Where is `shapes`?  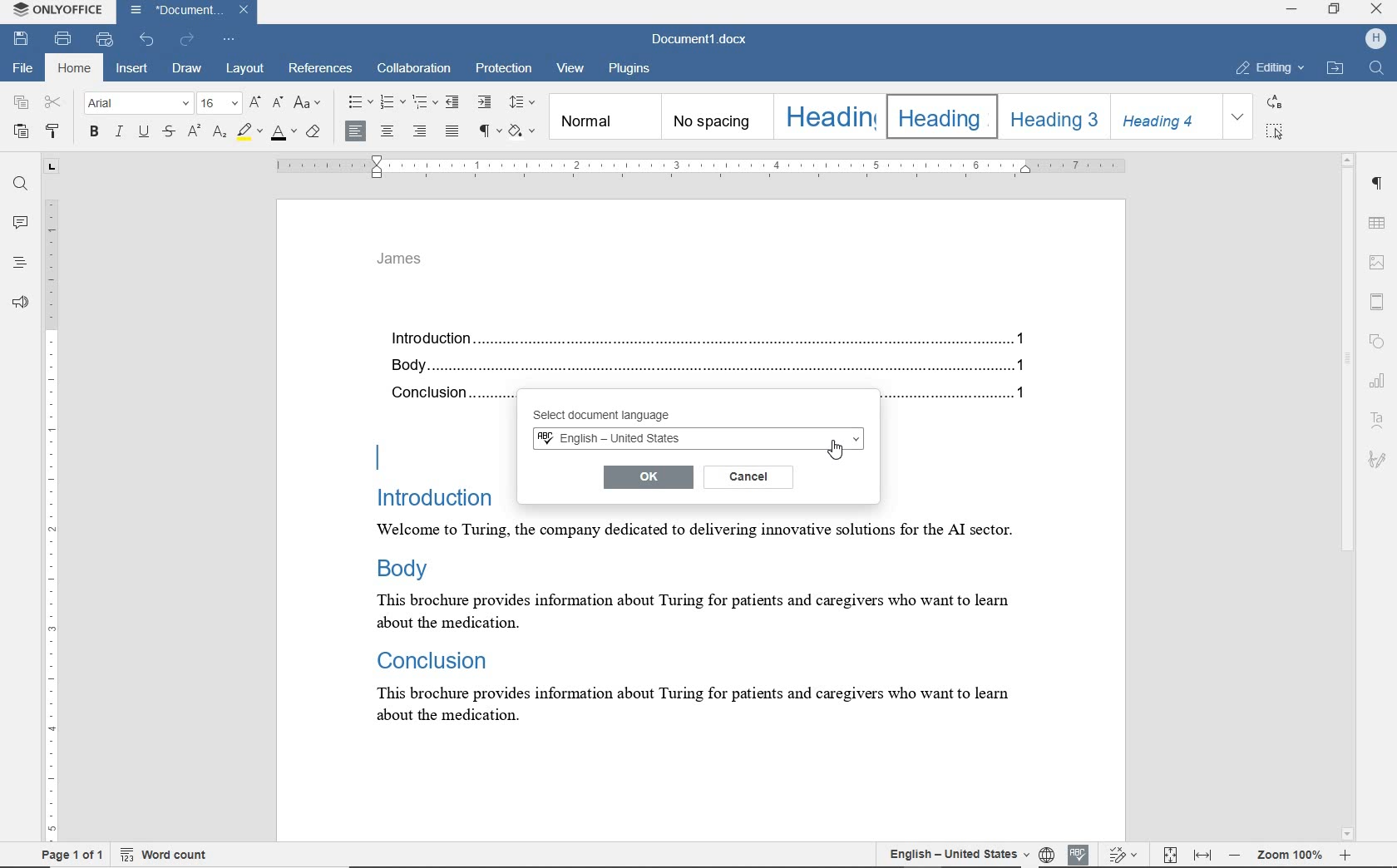
shapes is located at coordinates (1380, 343).